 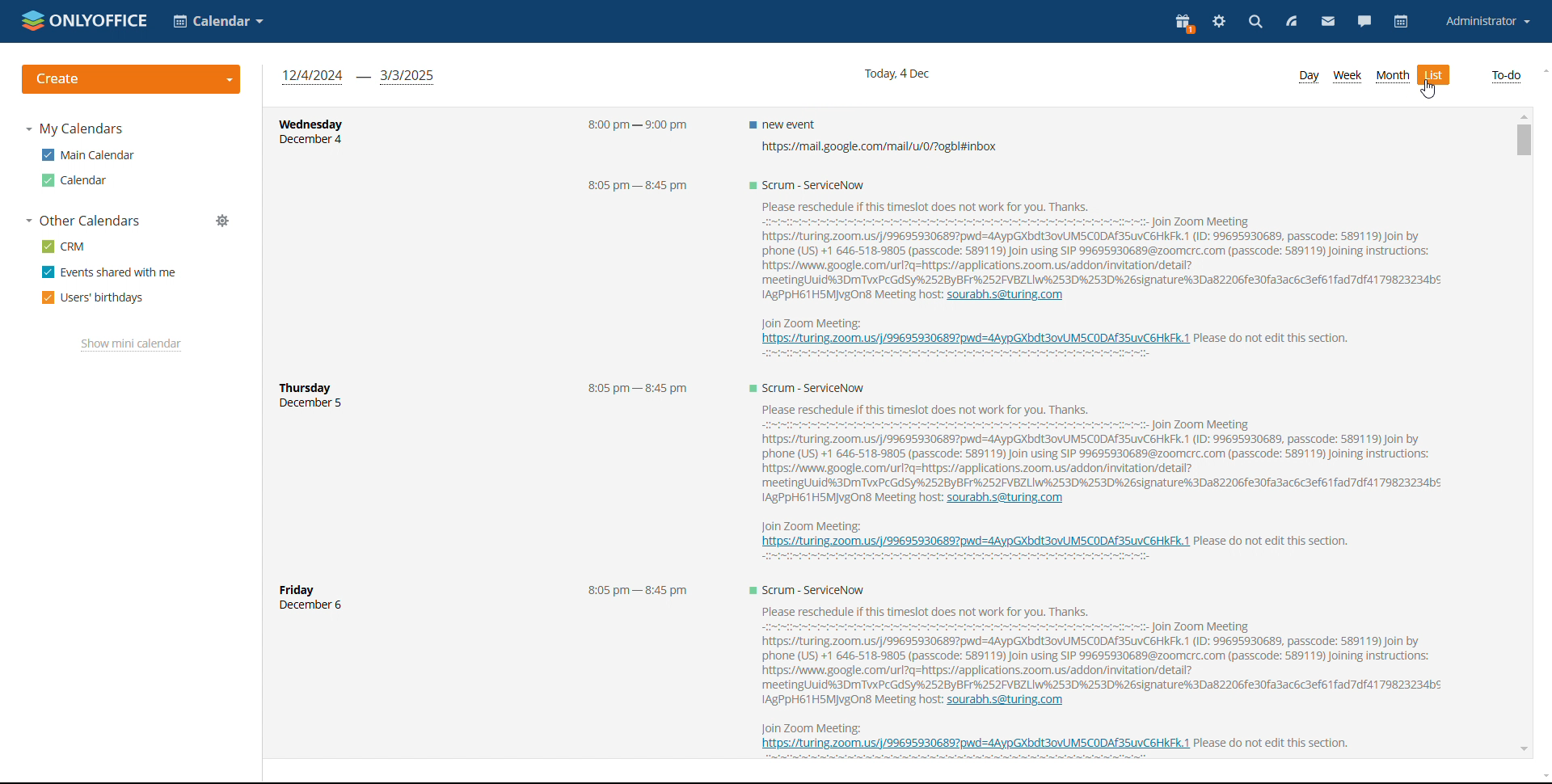 I want to click on sourabh.s@turing.com, so click(x=1009, y=295).